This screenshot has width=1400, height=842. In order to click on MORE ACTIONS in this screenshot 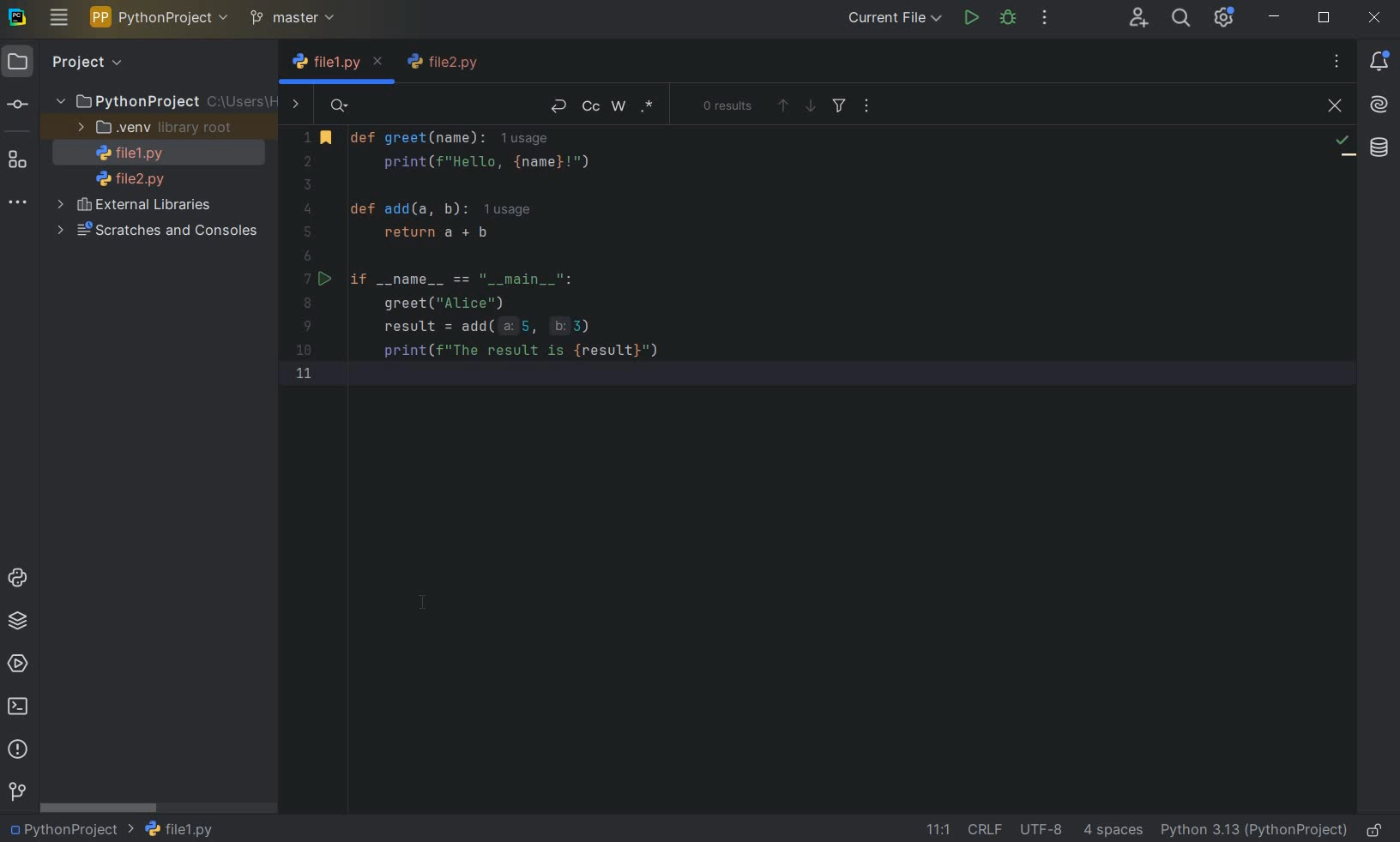, I will do `click(1046, 17)`.